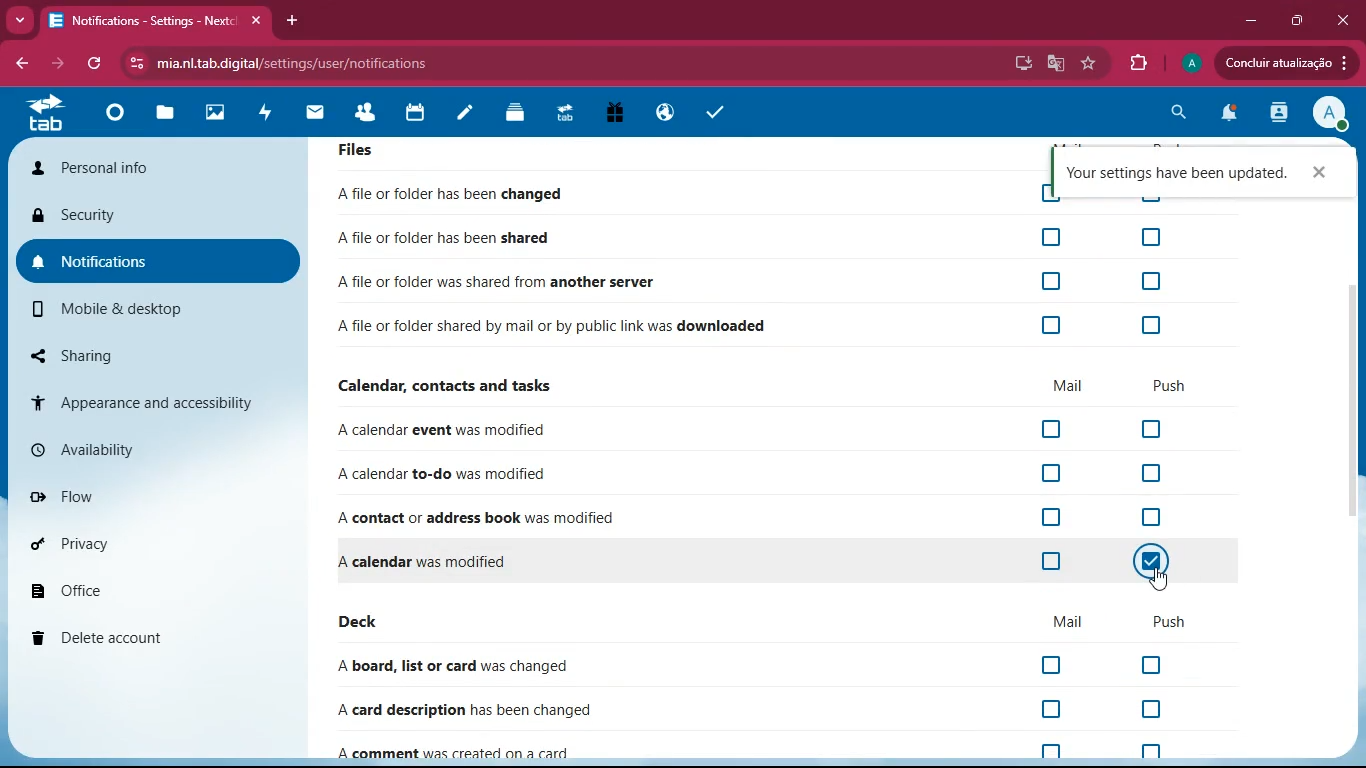 The image size is (1366, 768). What do you see at coordinates (1320, 174) in the screenshot?
I see `Close` at bounding box center [1320, 174].